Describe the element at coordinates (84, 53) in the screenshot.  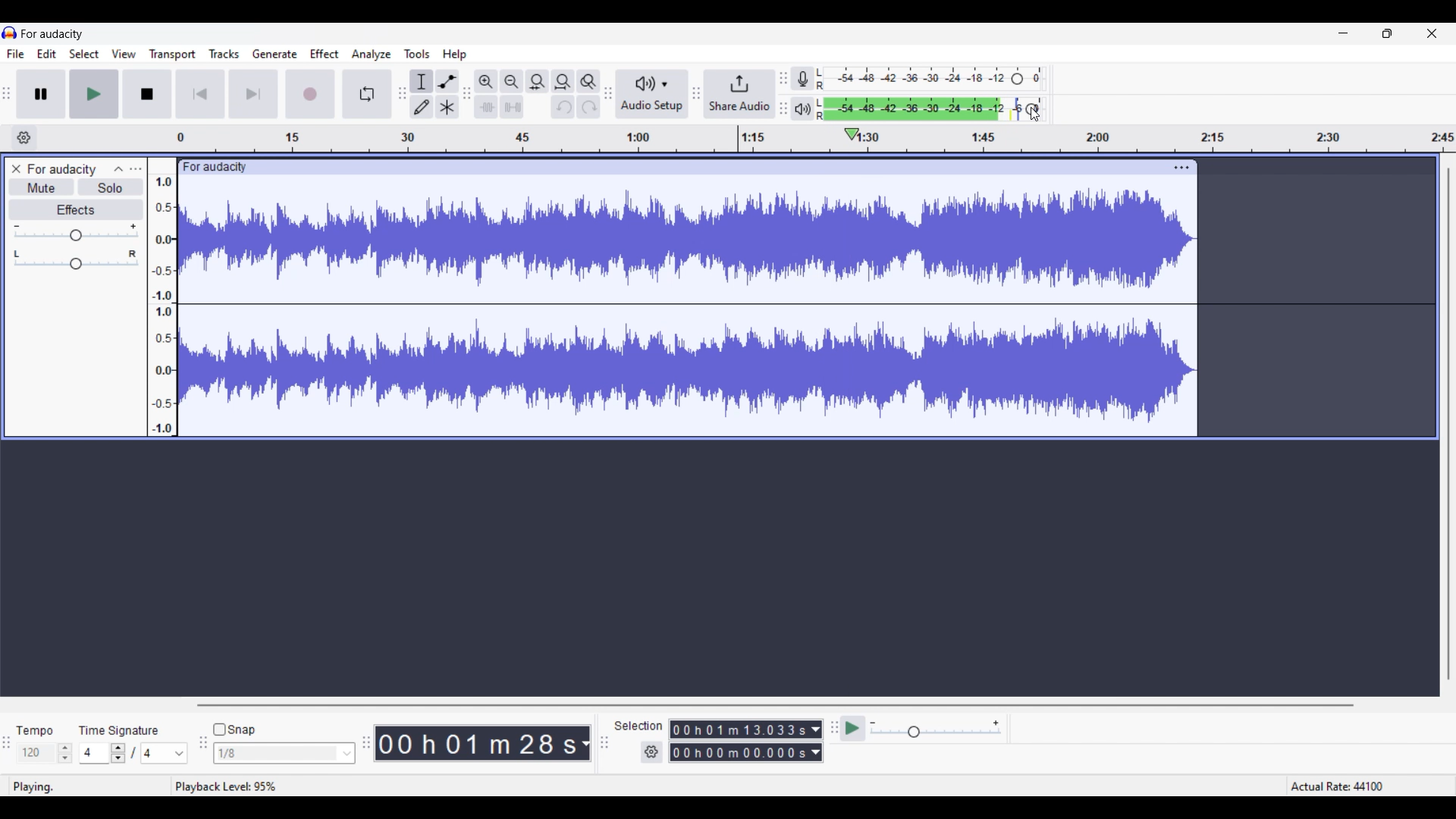
I see `Select menu` at that location.